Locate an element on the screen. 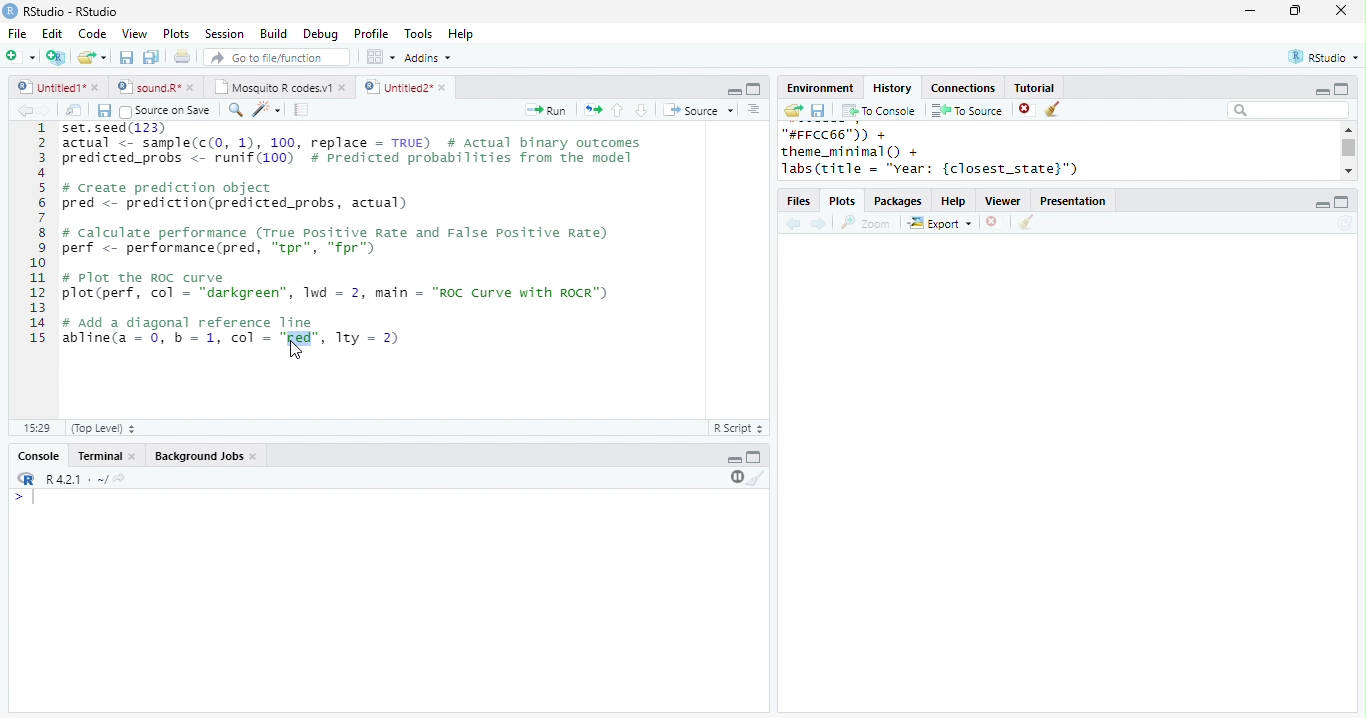  show in new window is located at coordinates (75, 110).